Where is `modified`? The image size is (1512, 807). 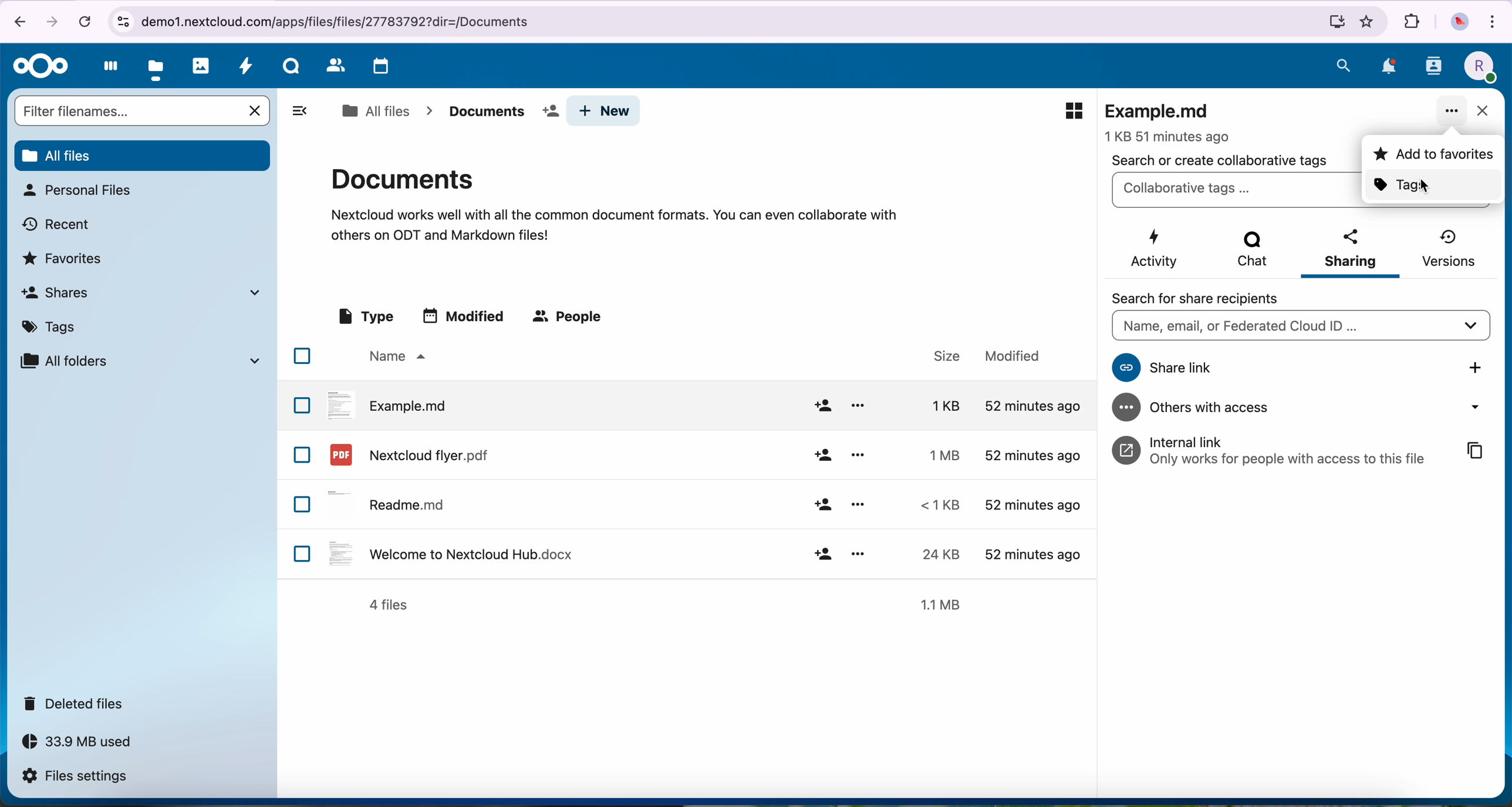
modified is located at coordinates (1013, 356).